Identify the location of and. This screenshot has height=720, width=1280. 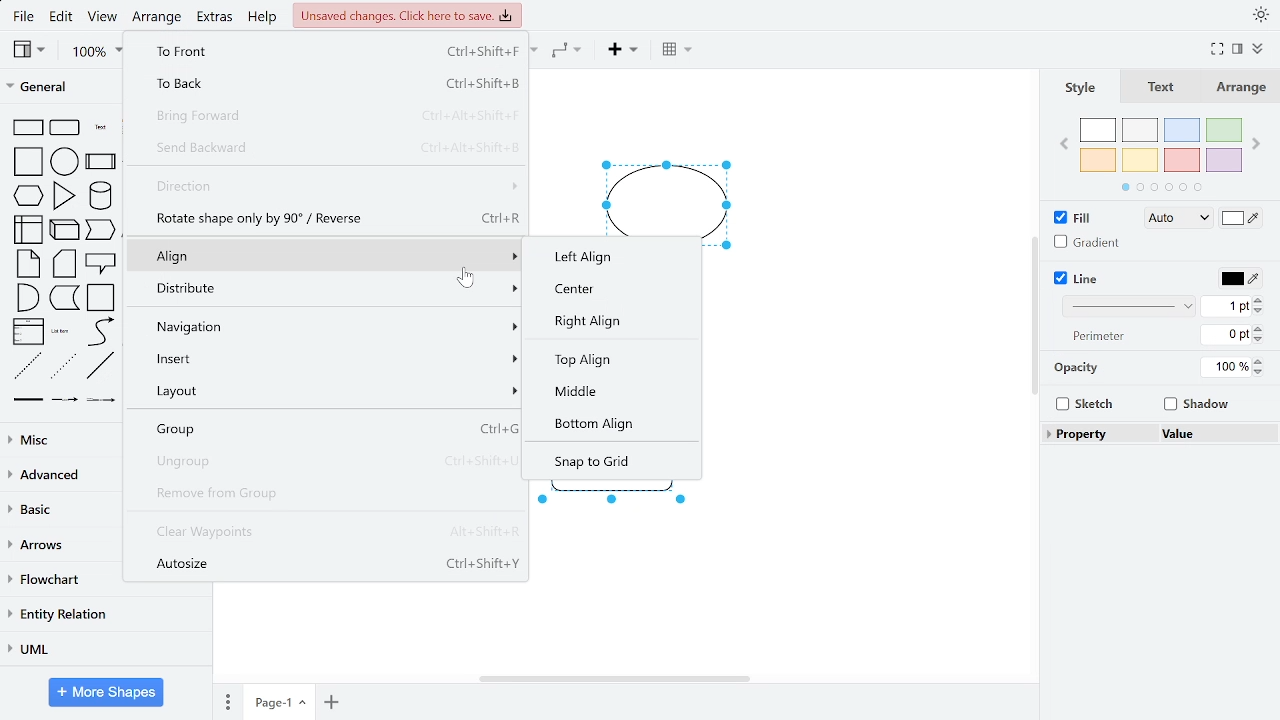
(26, 297).